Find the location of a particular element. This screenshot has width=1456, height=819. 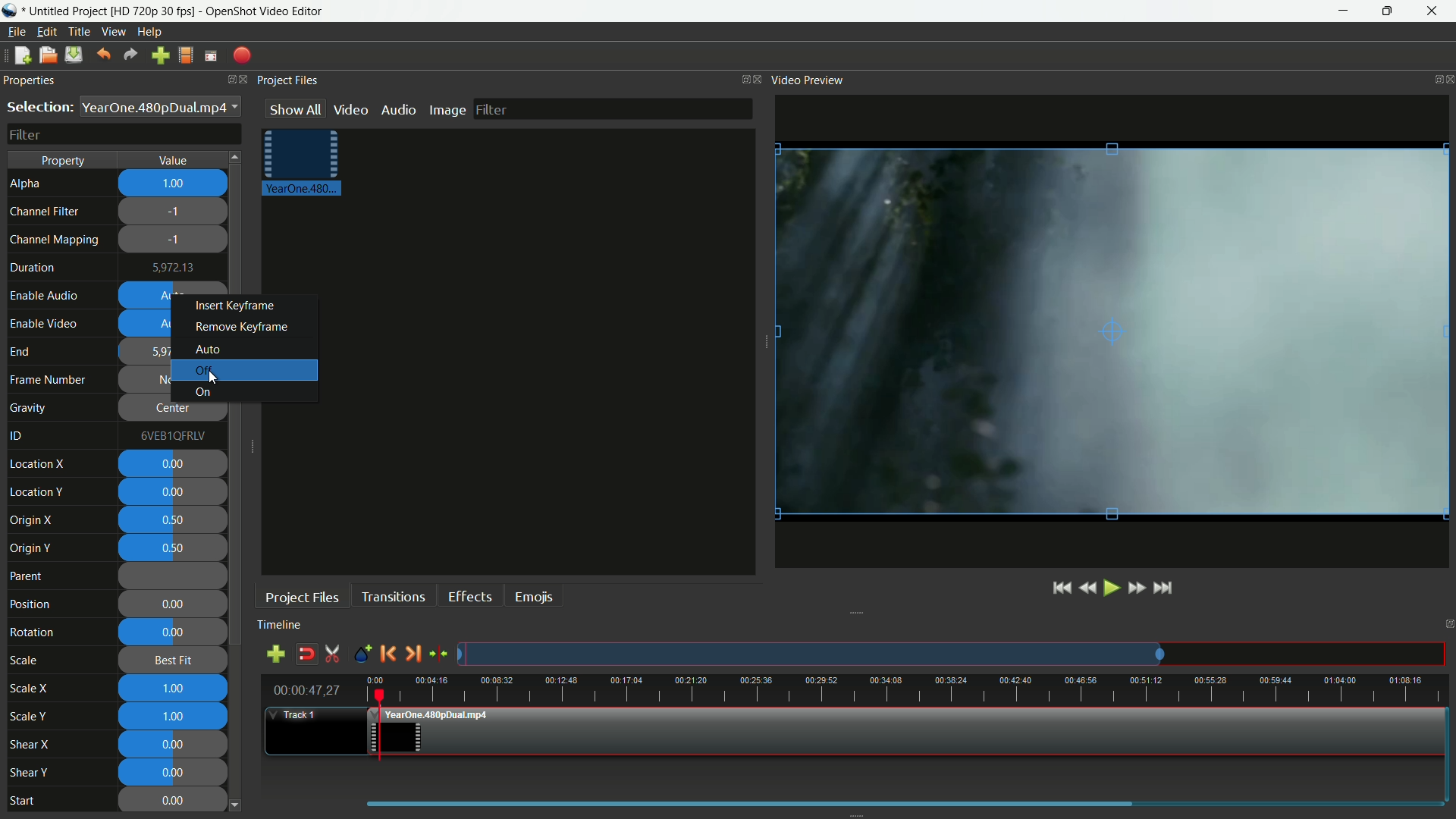

channel filter is located at coordinates (44, 211).